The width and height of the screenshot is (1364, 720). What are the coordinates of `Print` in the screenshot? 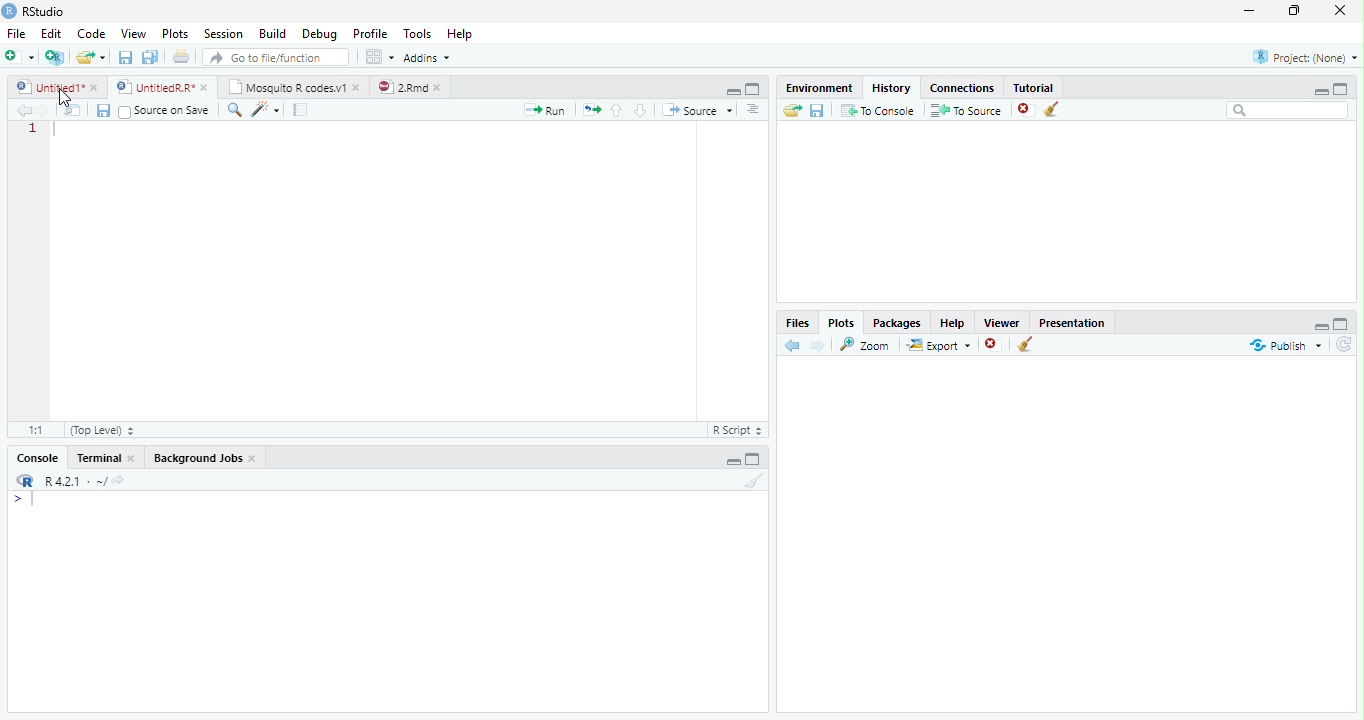 It's located at (181, 56).